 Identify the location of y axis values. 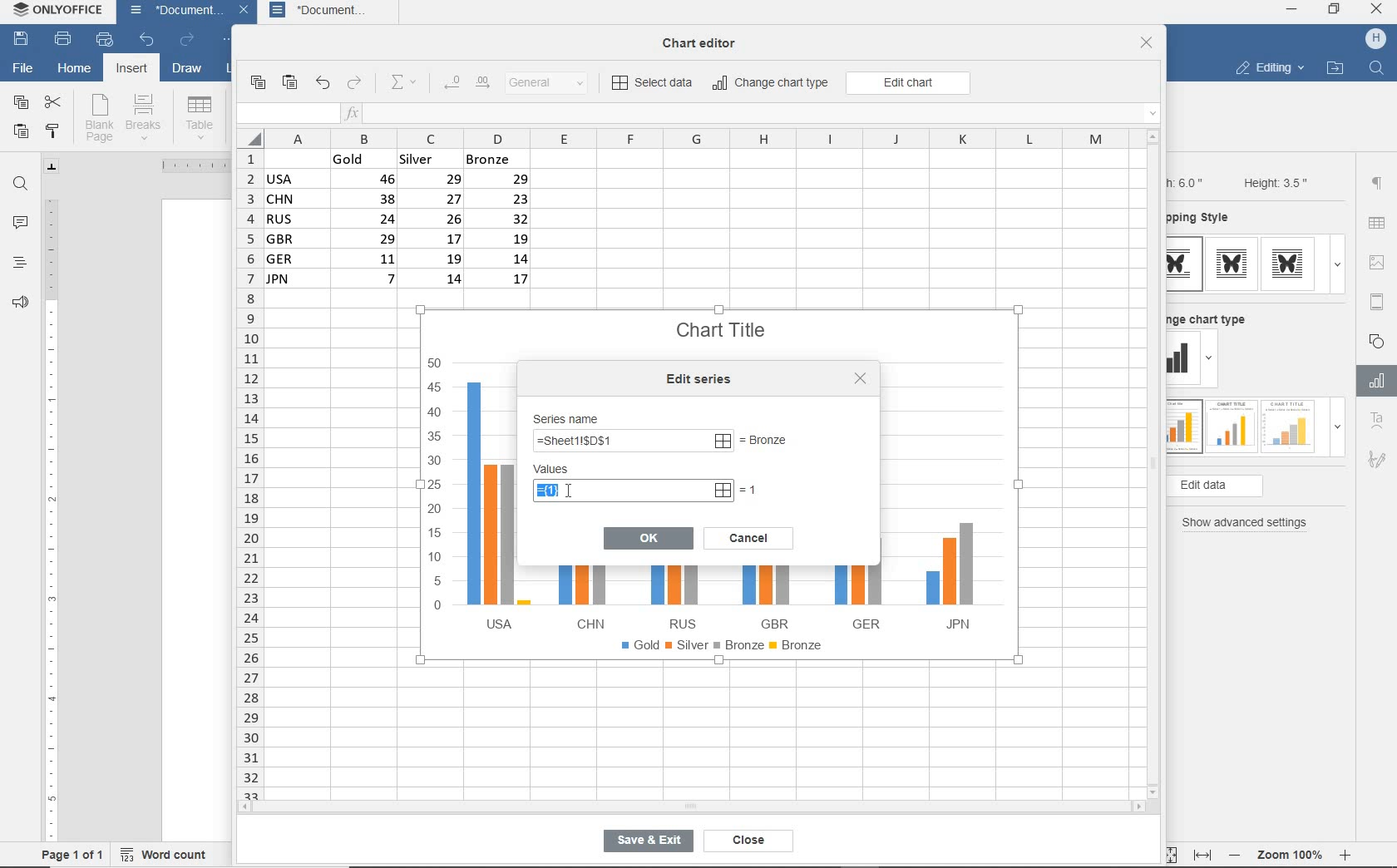
(436, 486).